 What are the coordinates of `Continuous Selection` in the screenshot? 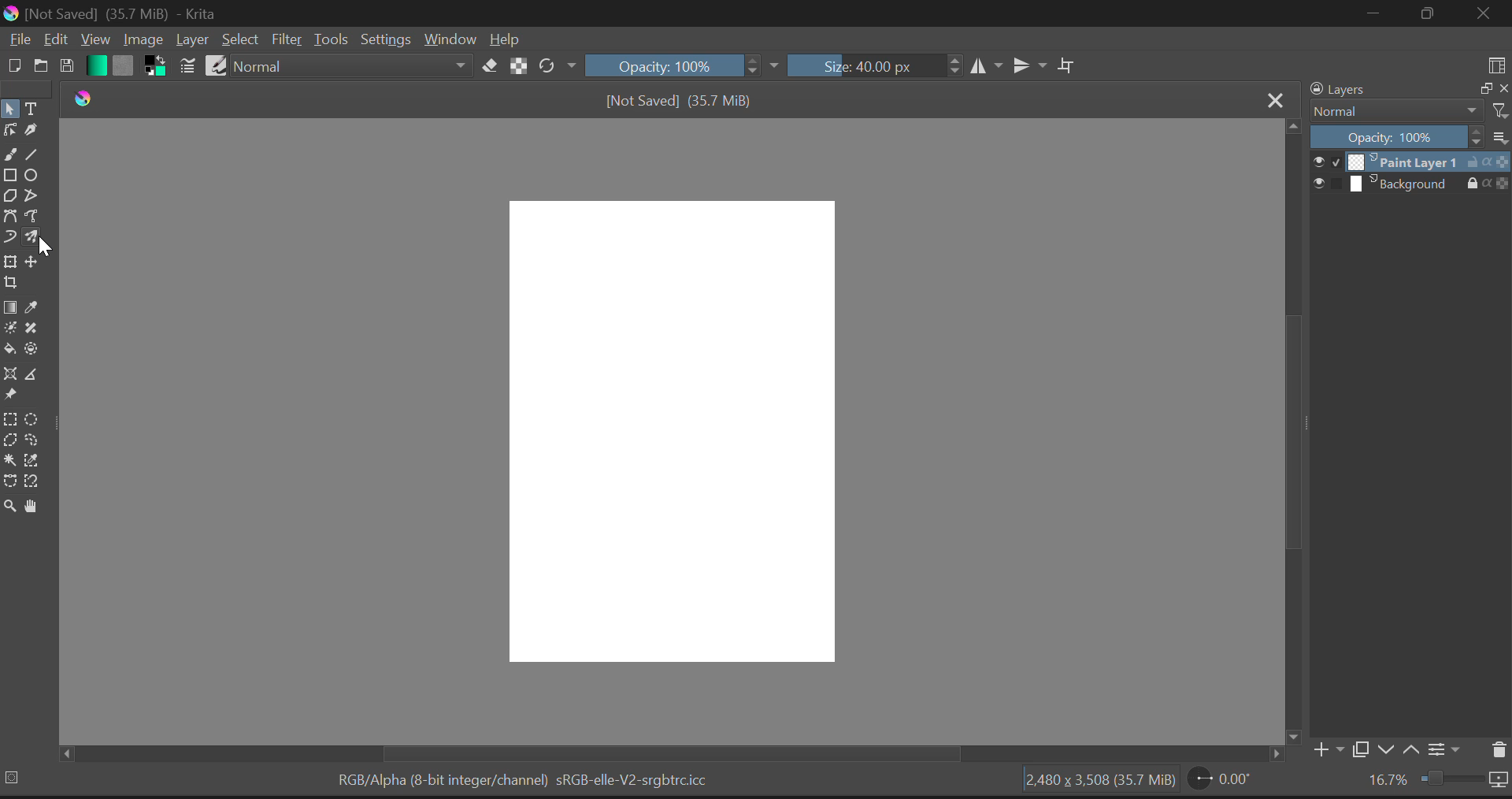 It's located at (11, 461).